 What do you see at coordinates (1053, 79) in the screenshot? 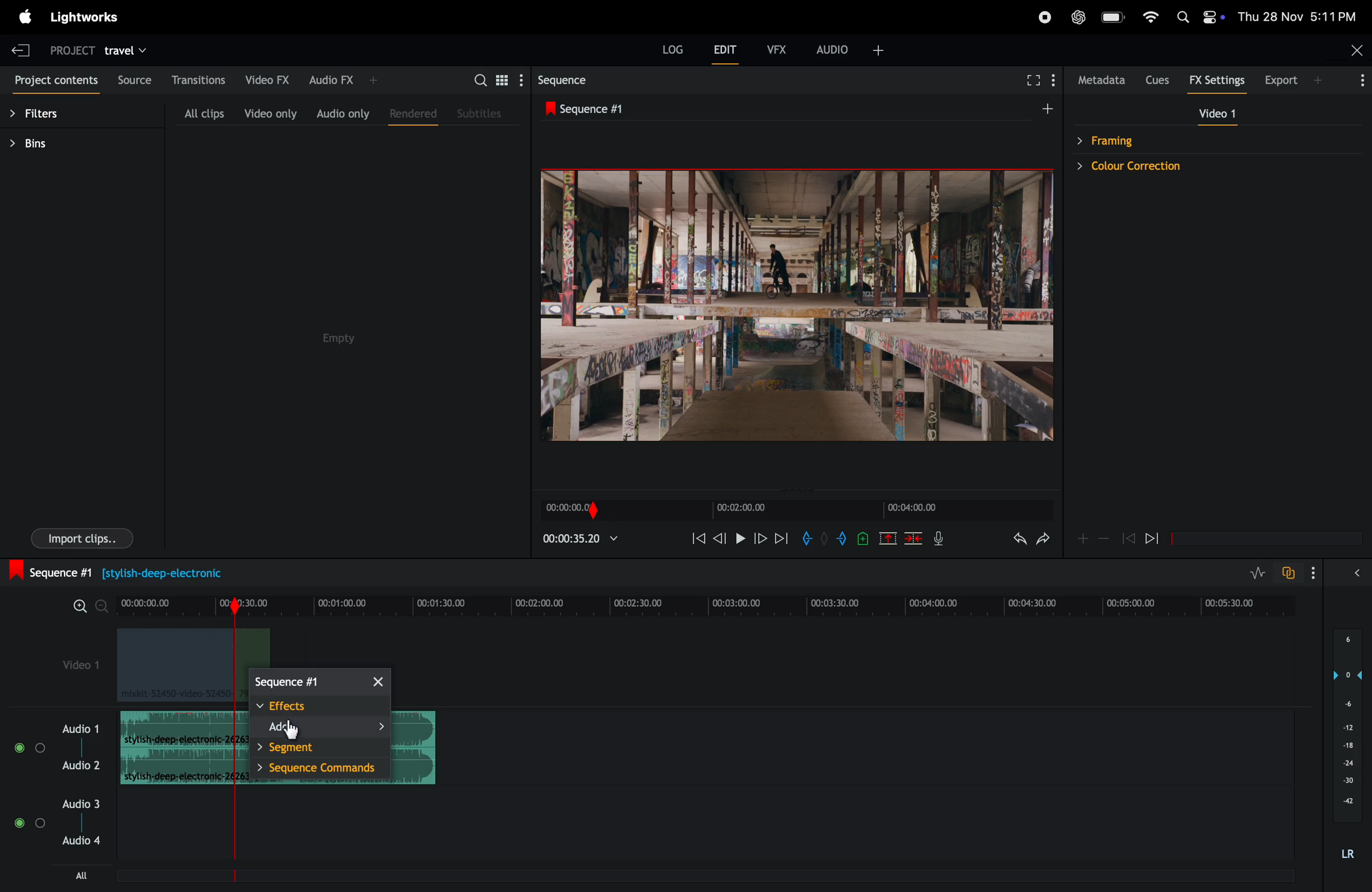
I see `show settings menu` at bounding box center [1053, 79].